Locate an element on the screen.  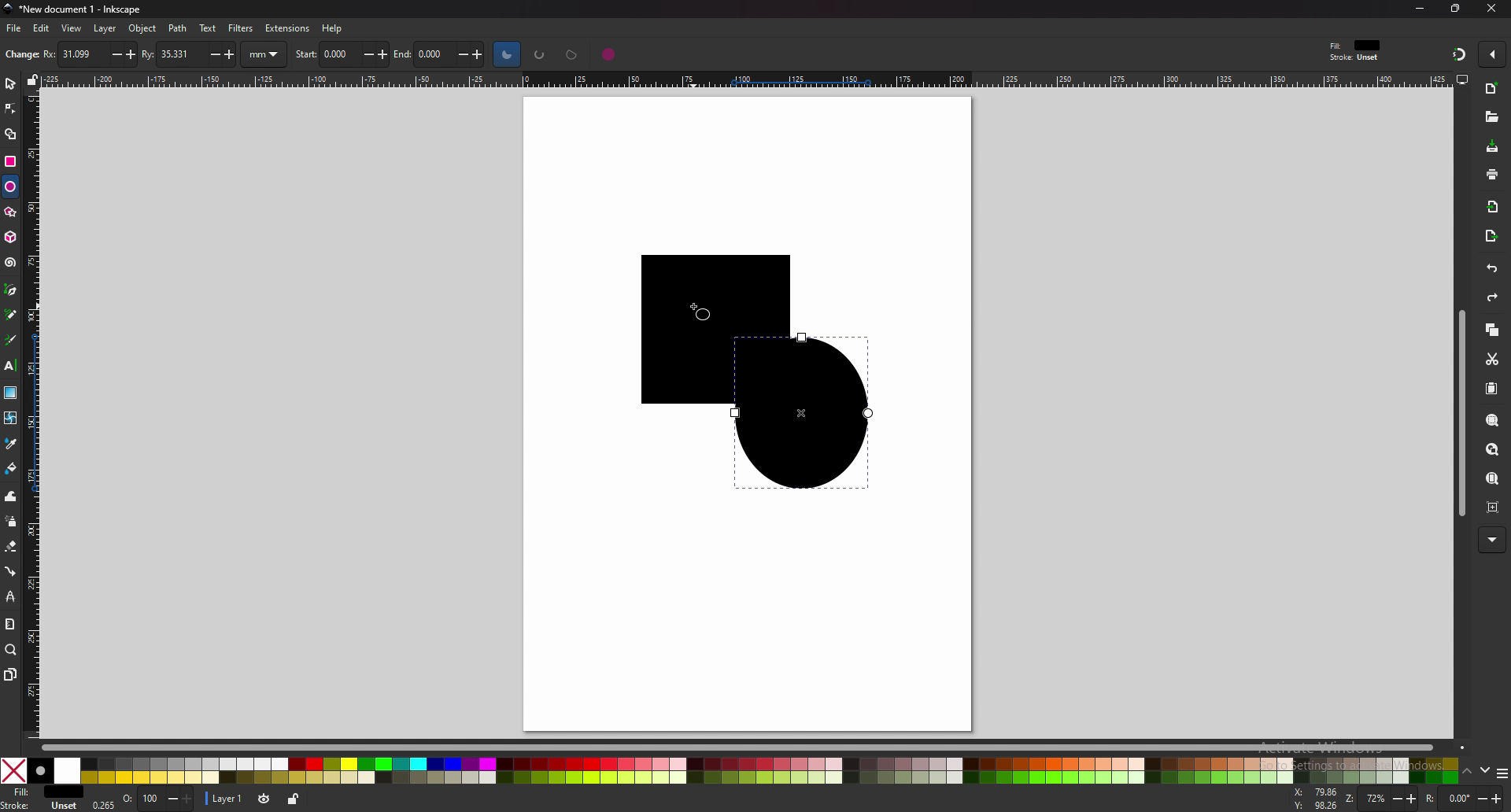
select is located at coordinates (10, 82).